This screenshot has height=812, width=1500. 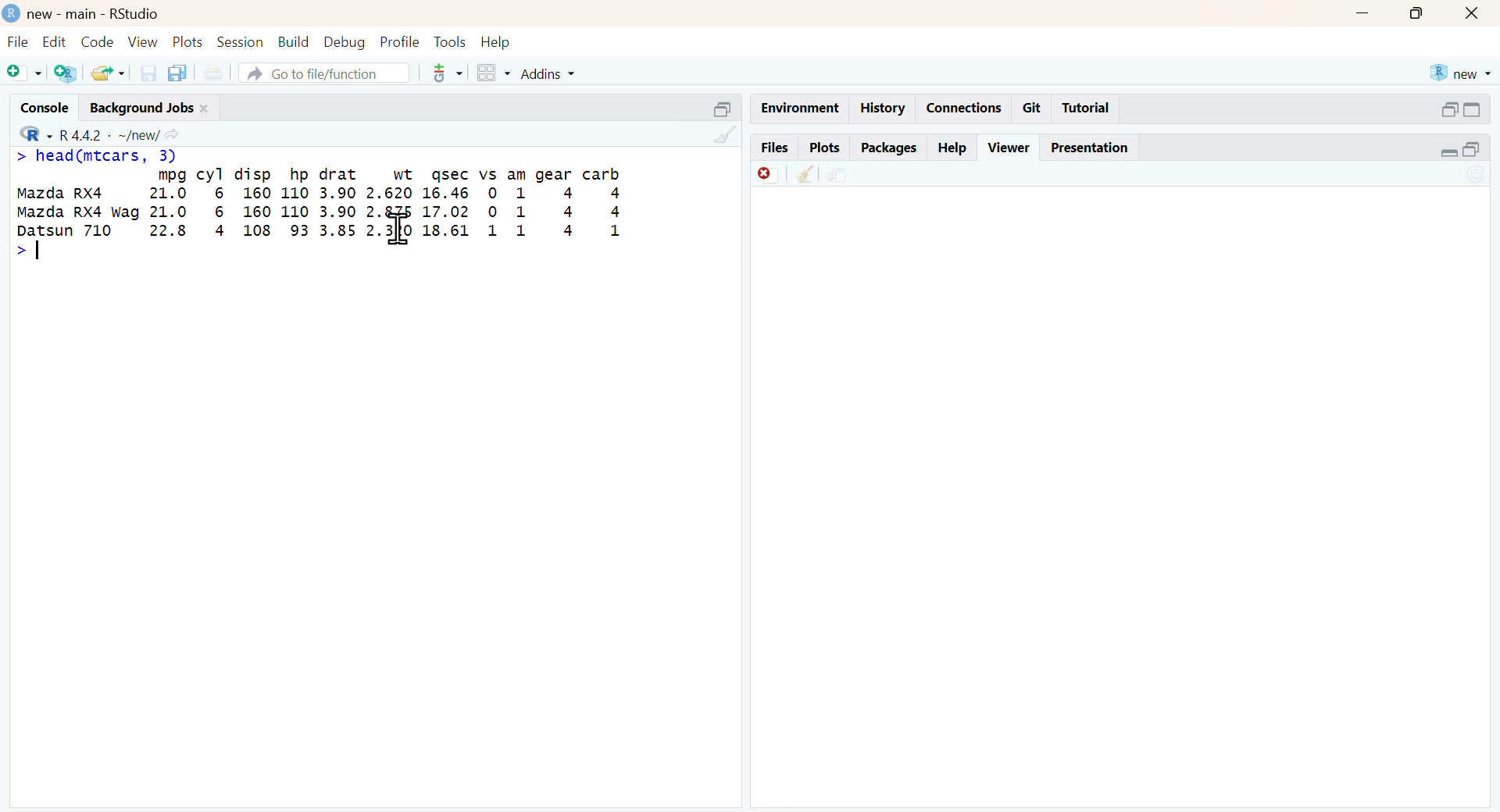 I want to click on minimize/maximize, so click(x=1460, y=150).